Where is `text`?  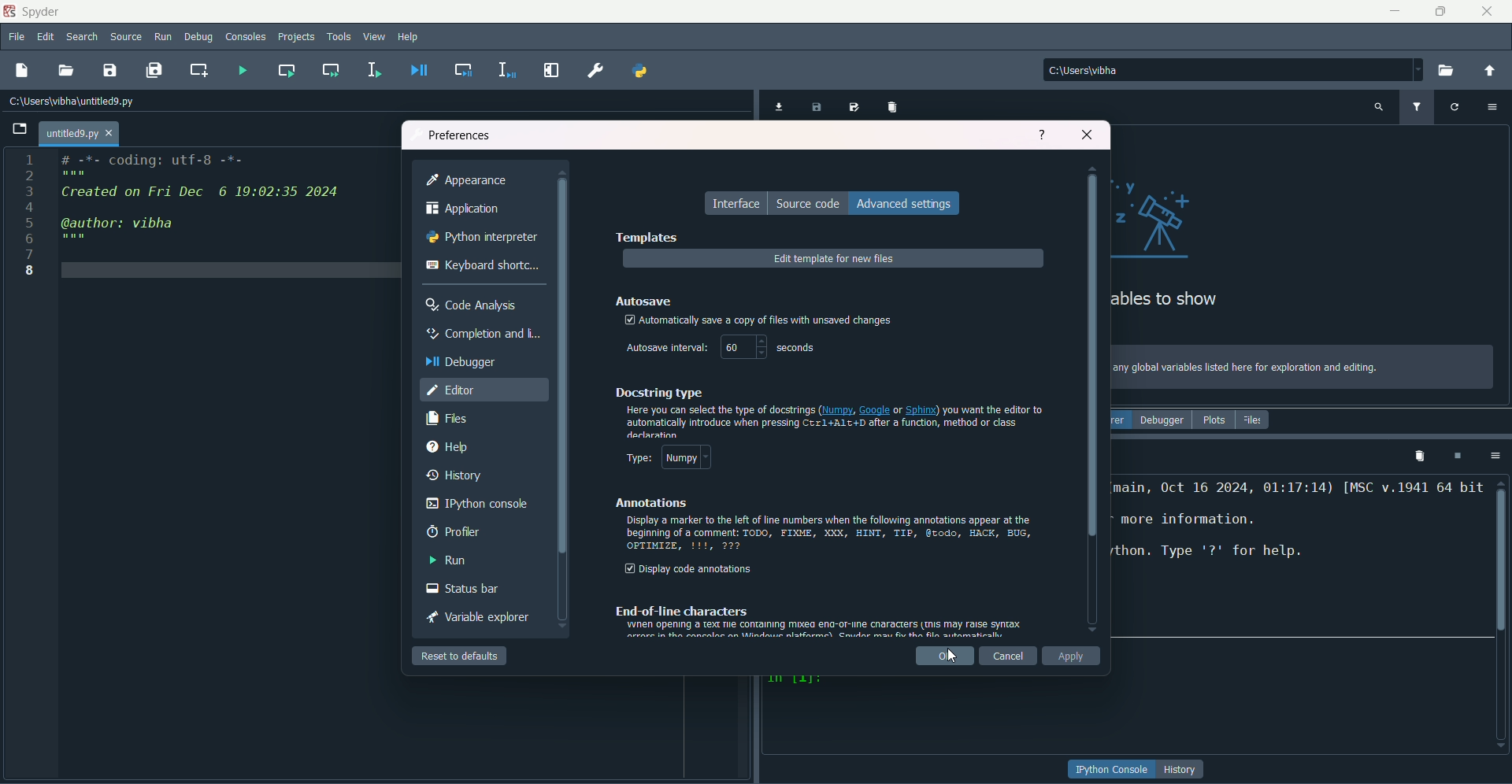
text is located at coordinates (835, 421).